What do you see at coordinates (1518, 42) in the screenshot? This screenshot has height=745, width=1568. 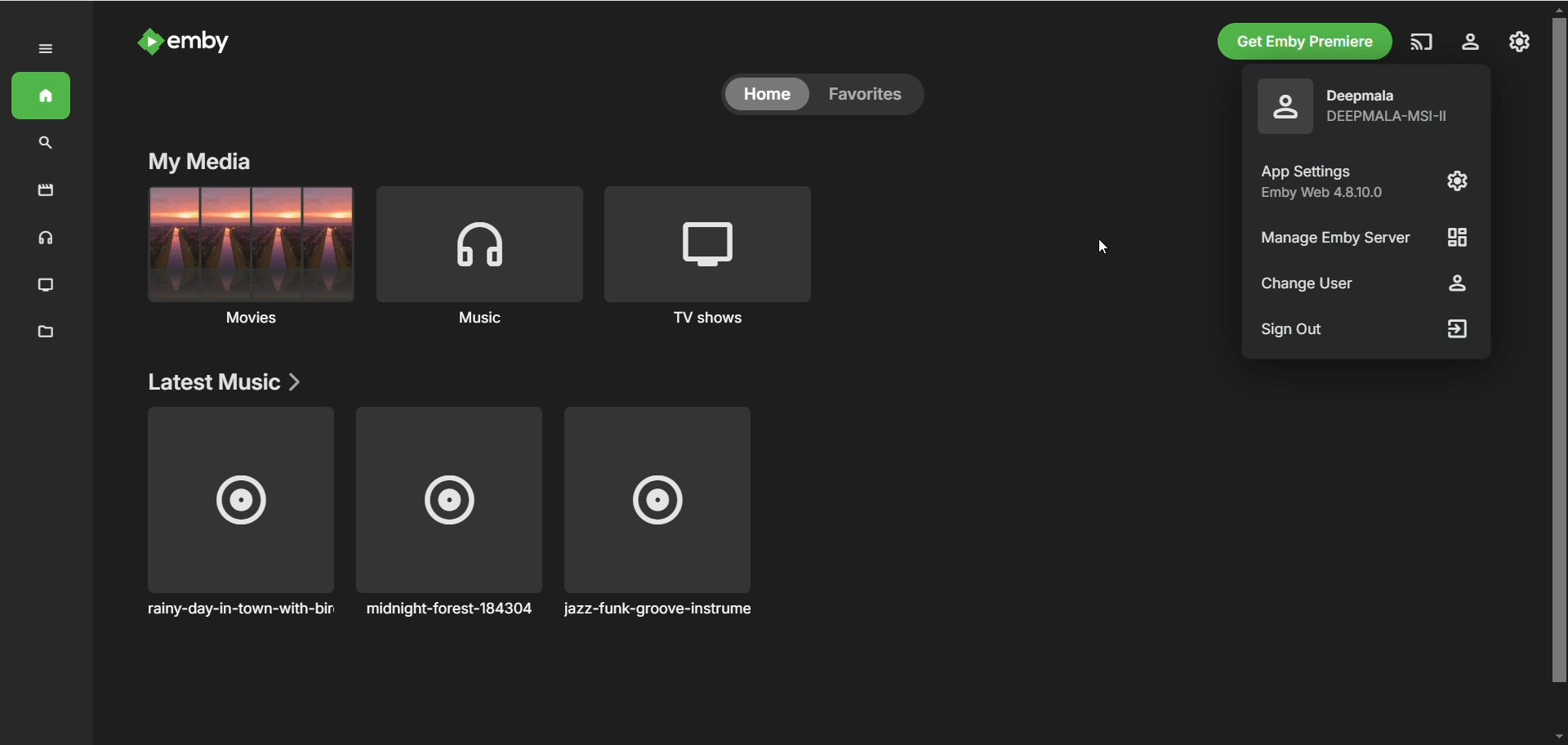 I see `settings` at bounding box center [1518, 42].